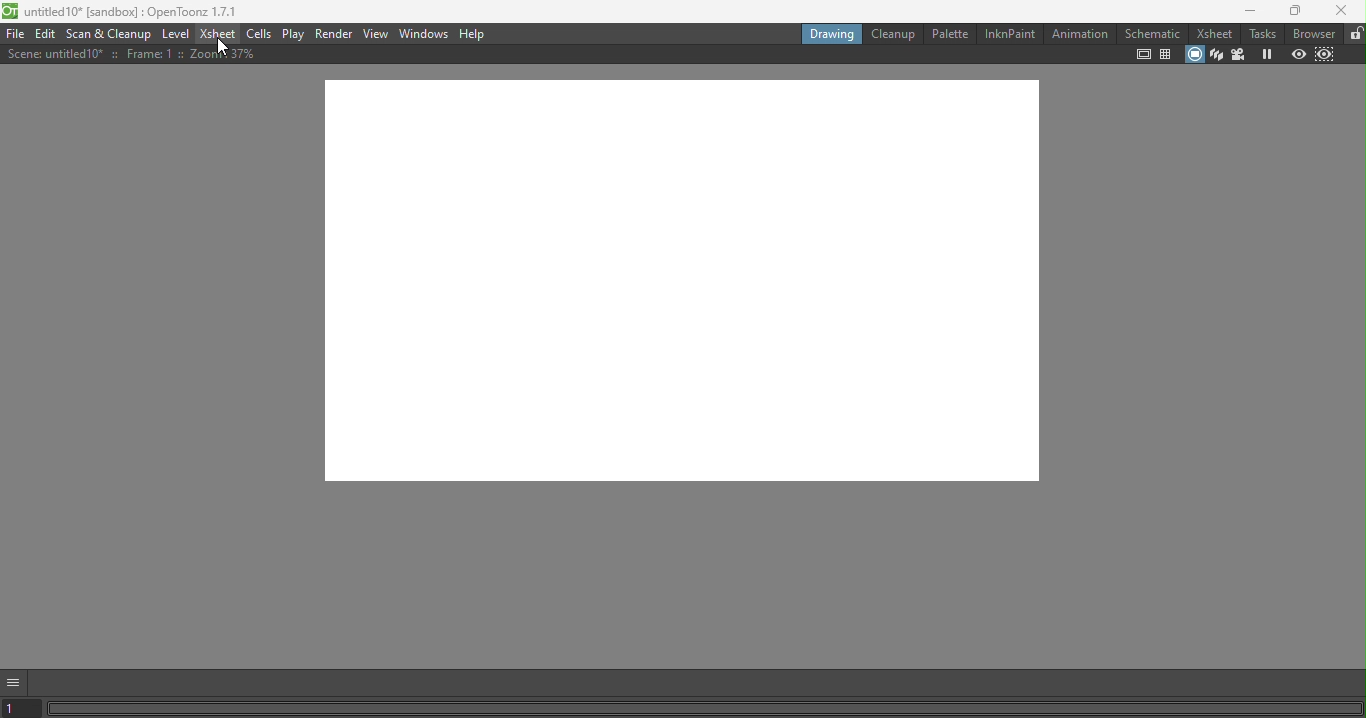 The image size is (1366, 718). What do you see at coordinates (216, 34) in the screenshot?
I see `Xsheet` at bounding box center [216, 34].